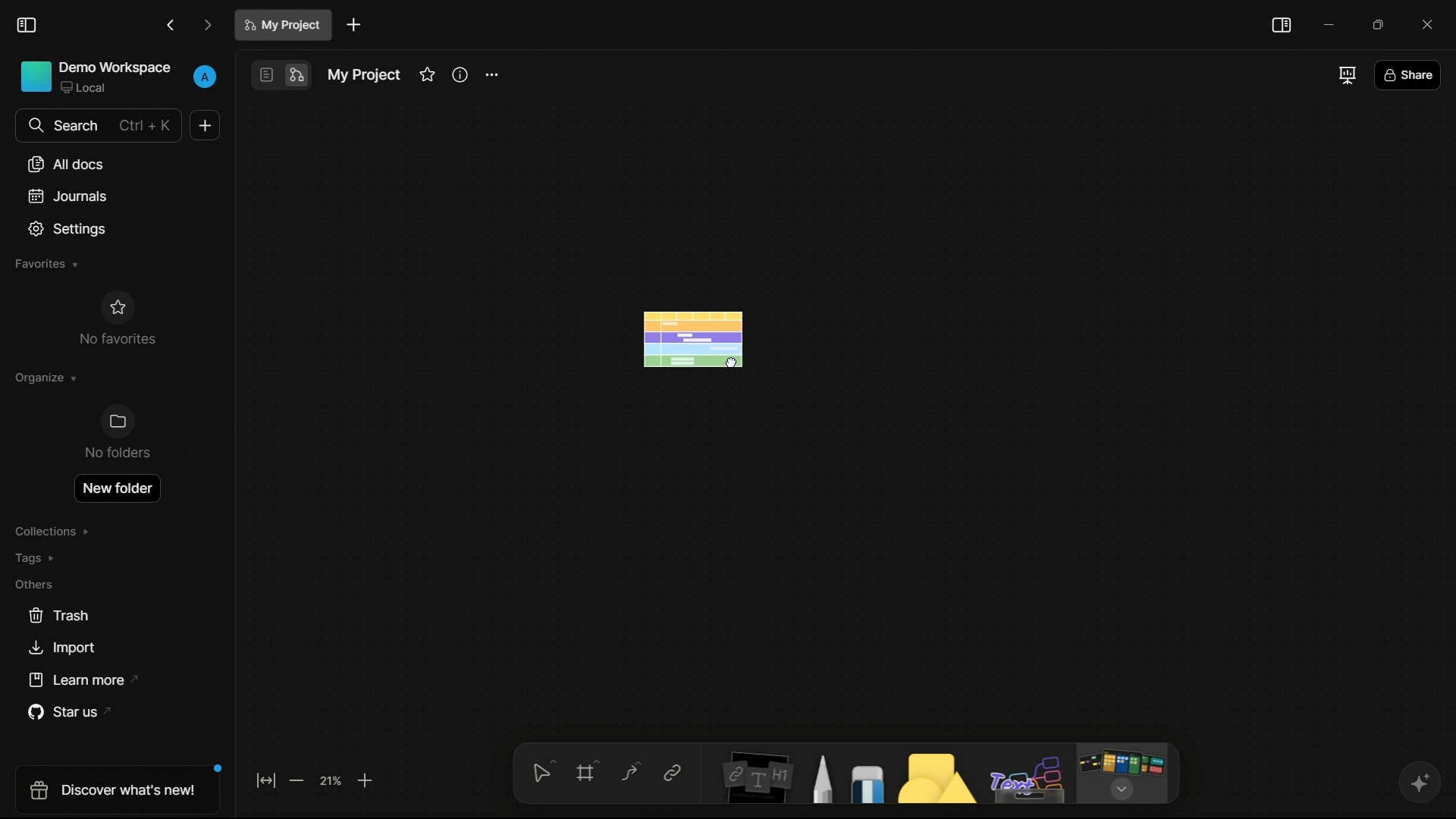 The image size is (1456, 819). I want to click on page mode, so click(265, 74).